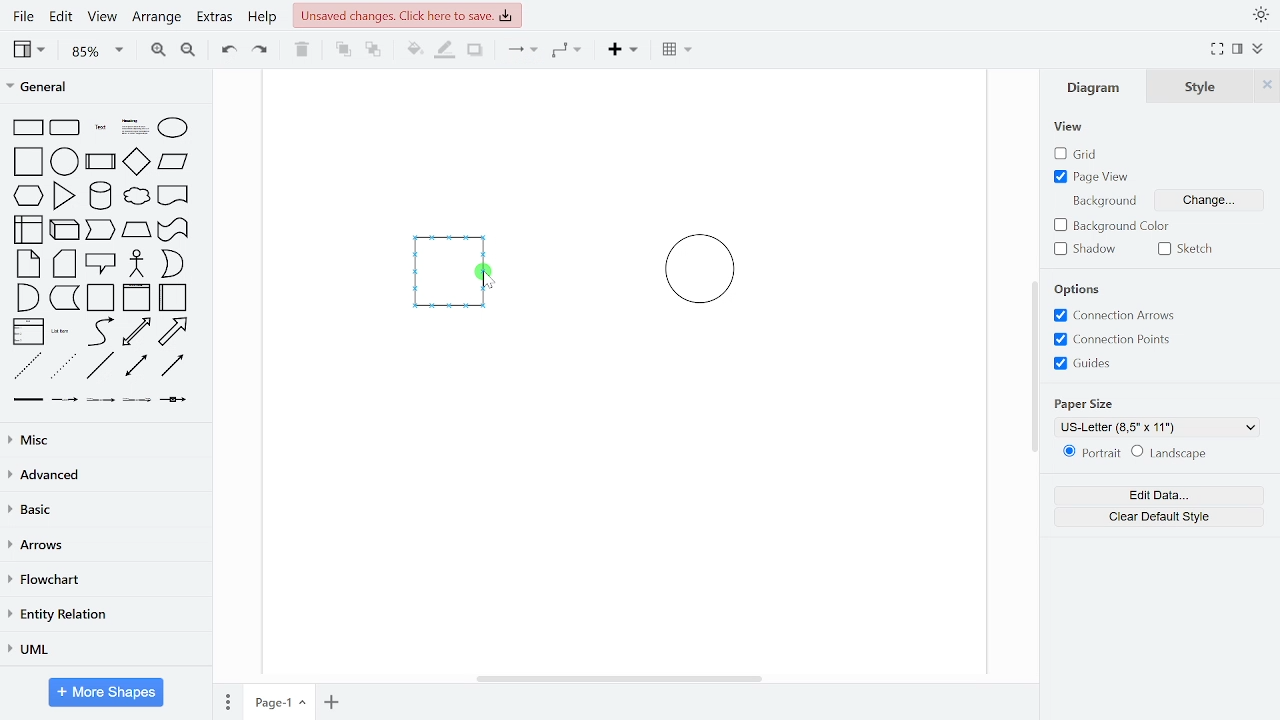  I want to click on more shapes, so click(107, 694).